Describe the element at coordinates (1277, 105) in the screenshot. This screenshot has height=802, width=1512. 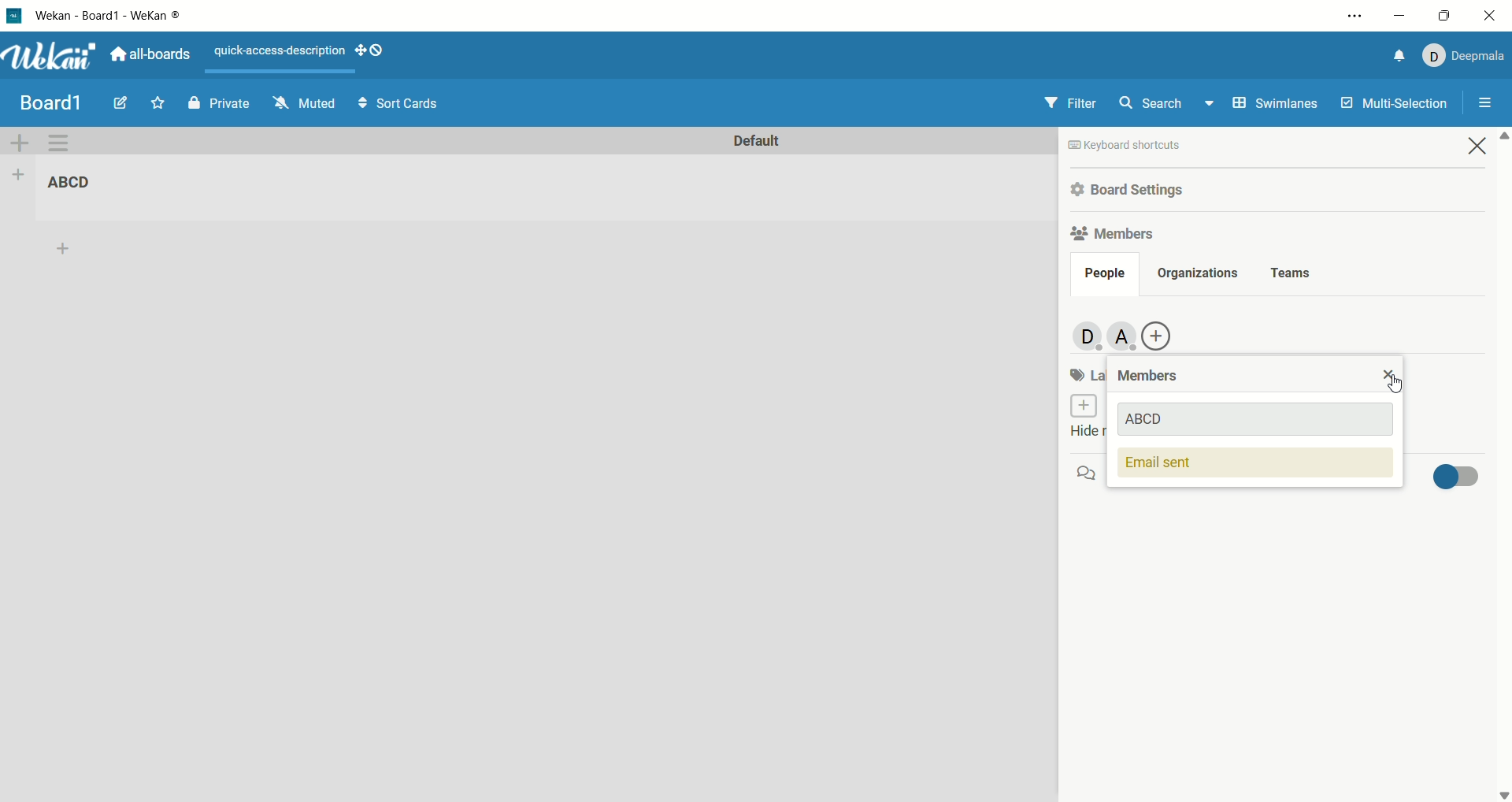
I see `swimlanes` at that location.